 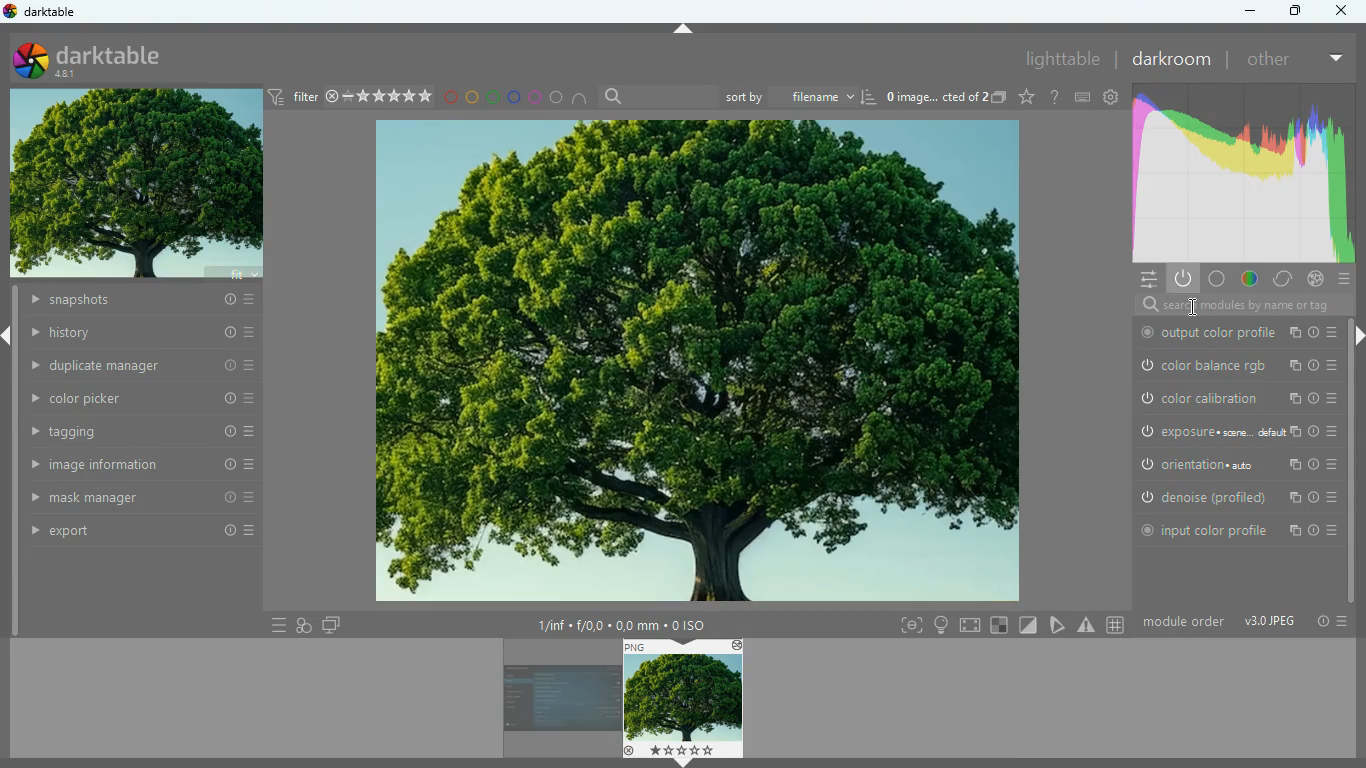 I want to click on #, so click(x=1113, y=625).